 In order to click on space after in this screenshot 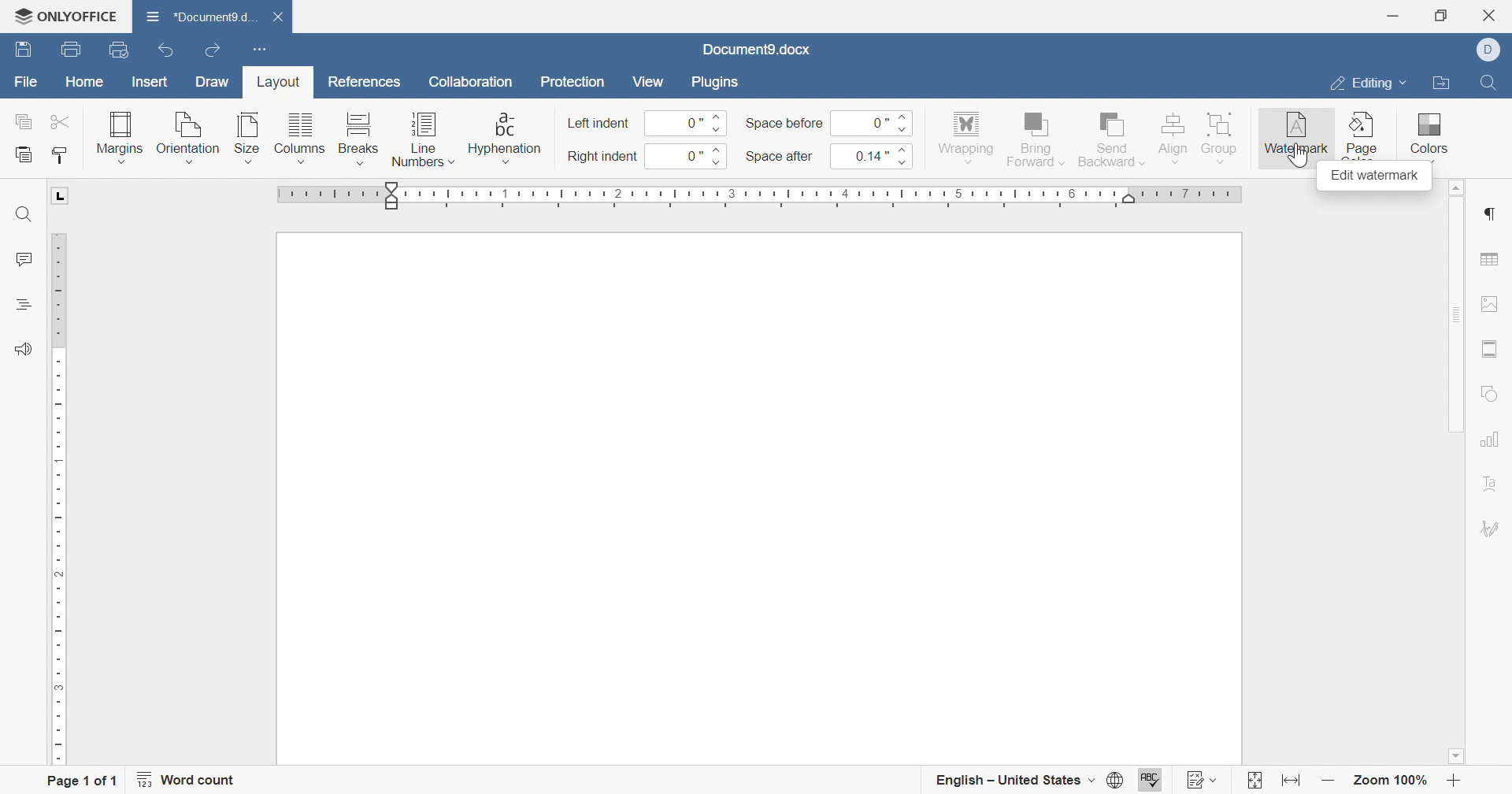, I will do `click(780, 158)`.